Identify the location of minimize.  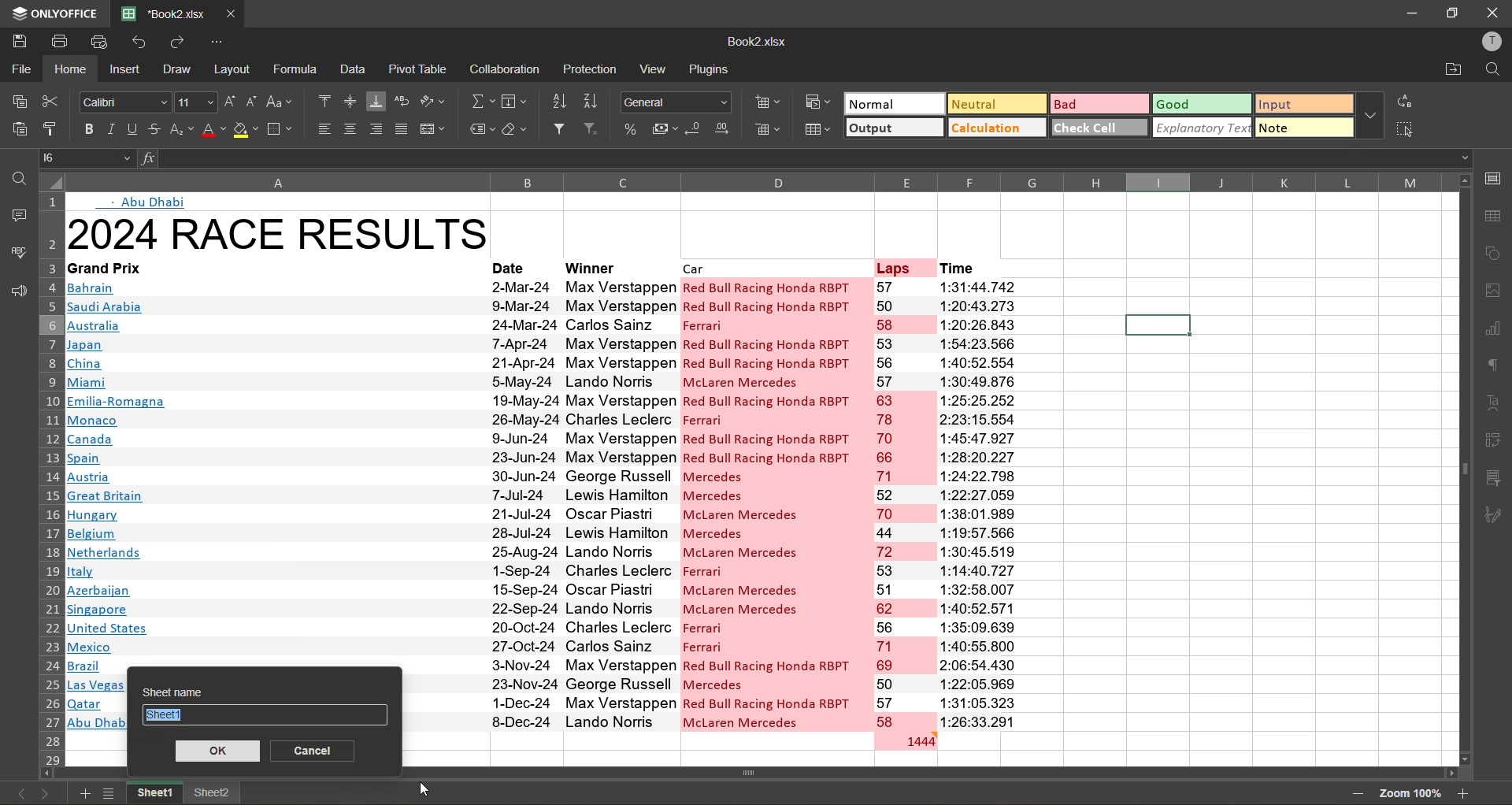
(1406, 14).